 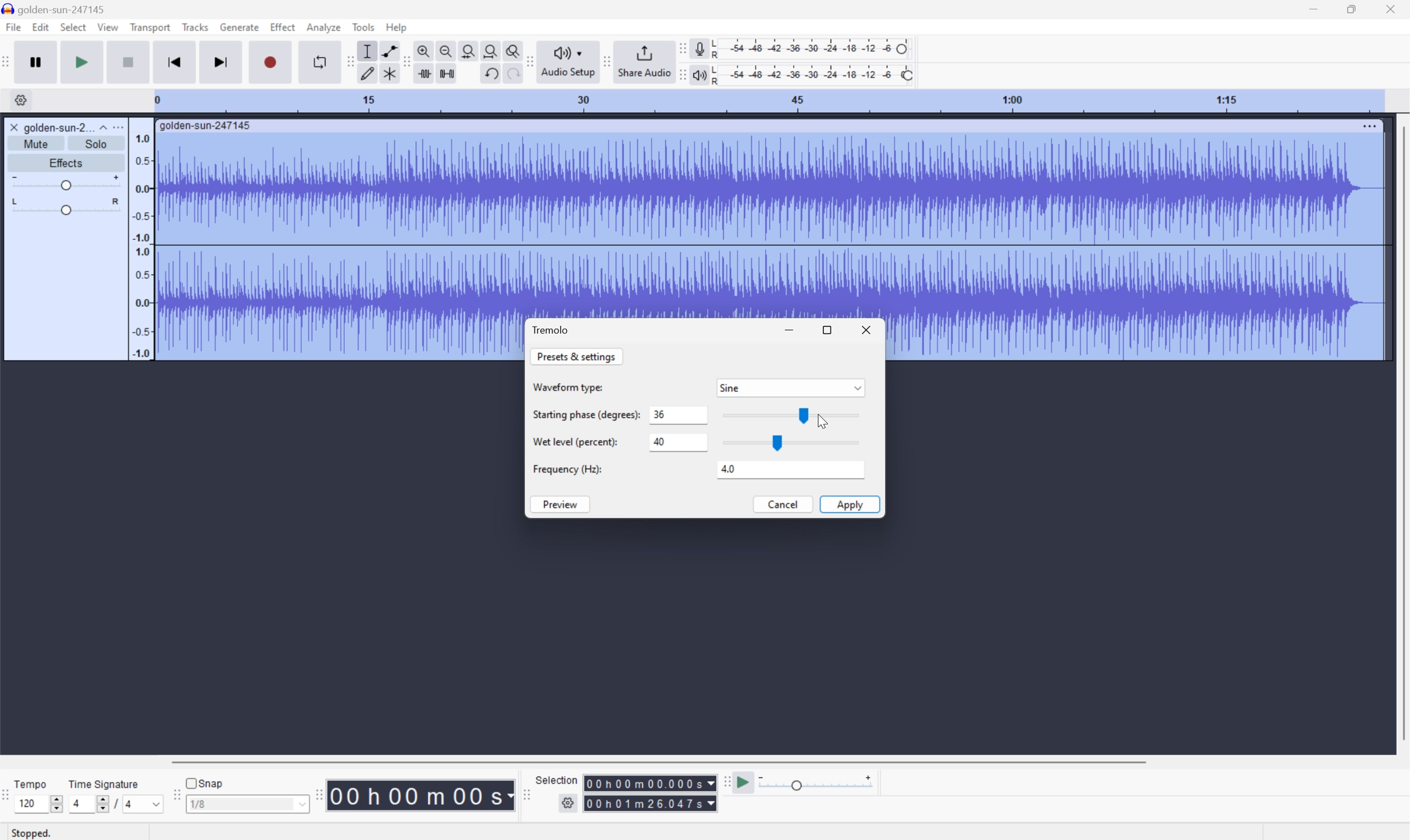 I want to click on Help, so click(x=397, y=26).